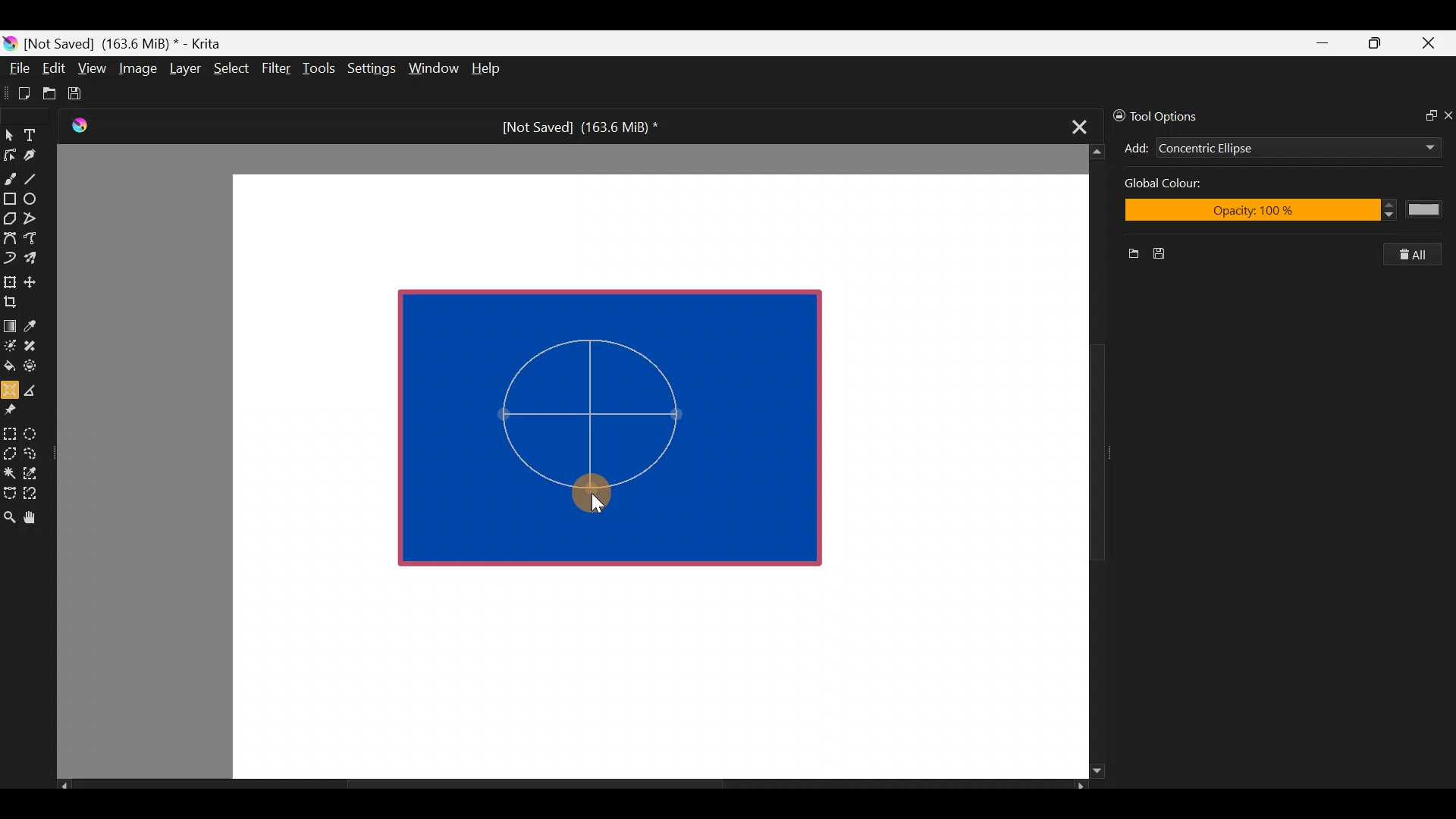 The width and height of the screenshot is (1456, 819). Describe the element at coordinates (15, 301) in the screenshot. I see `Crop the image to an area` at that location.